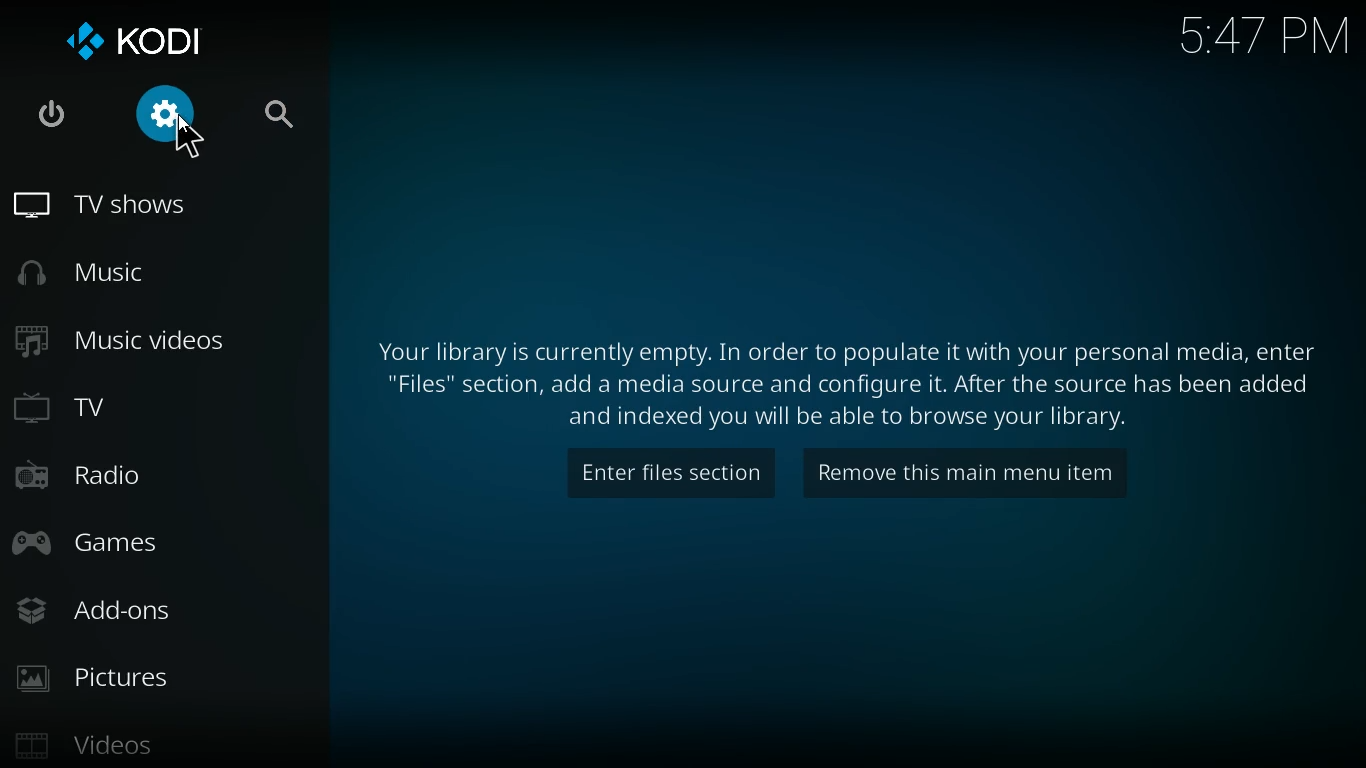  What do you see at coordinates (665, 472) in the screenshot?
I see `enter files` at bounding box center [665, 472].